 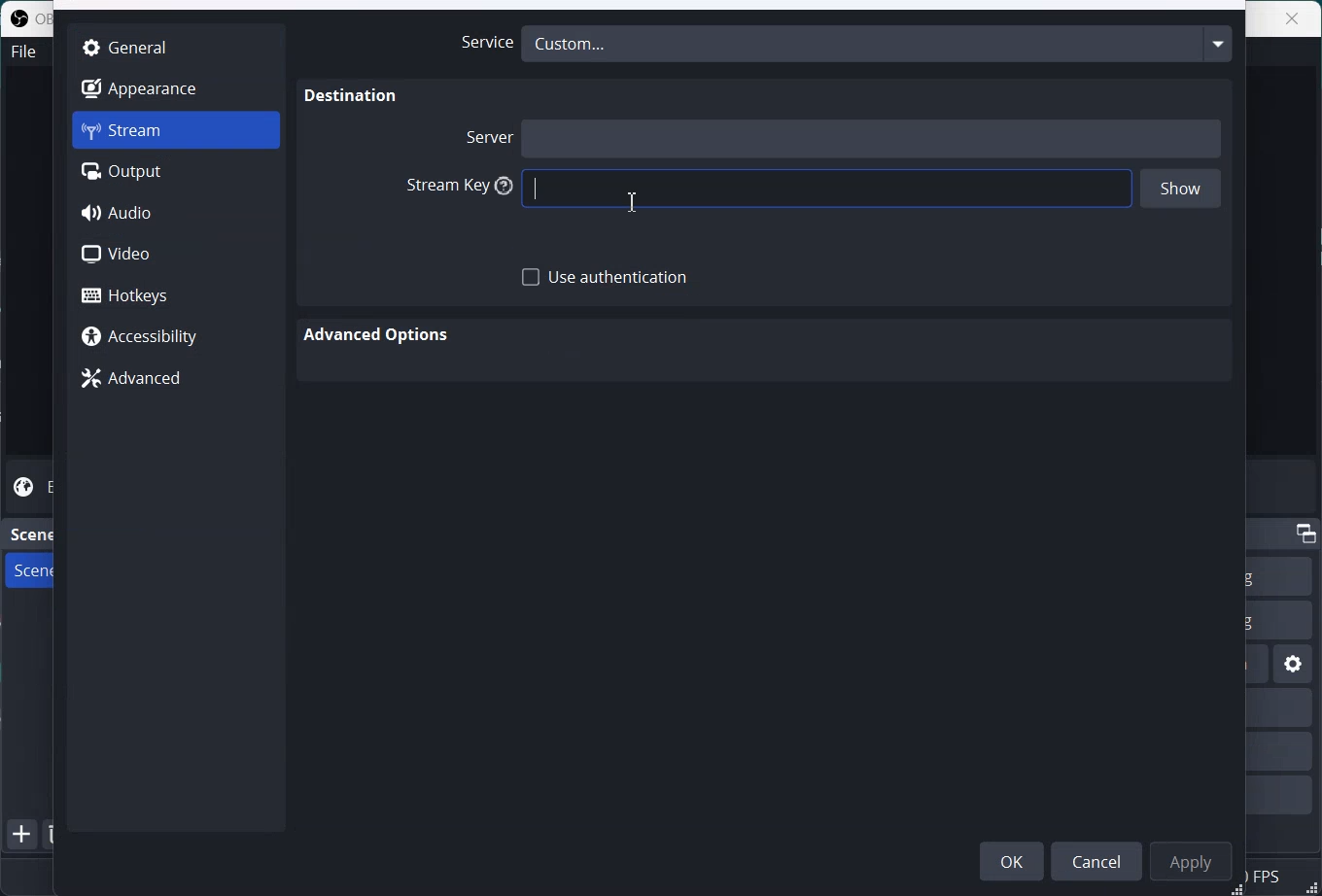 I want to click on Destination, so click(x=352, y=96).